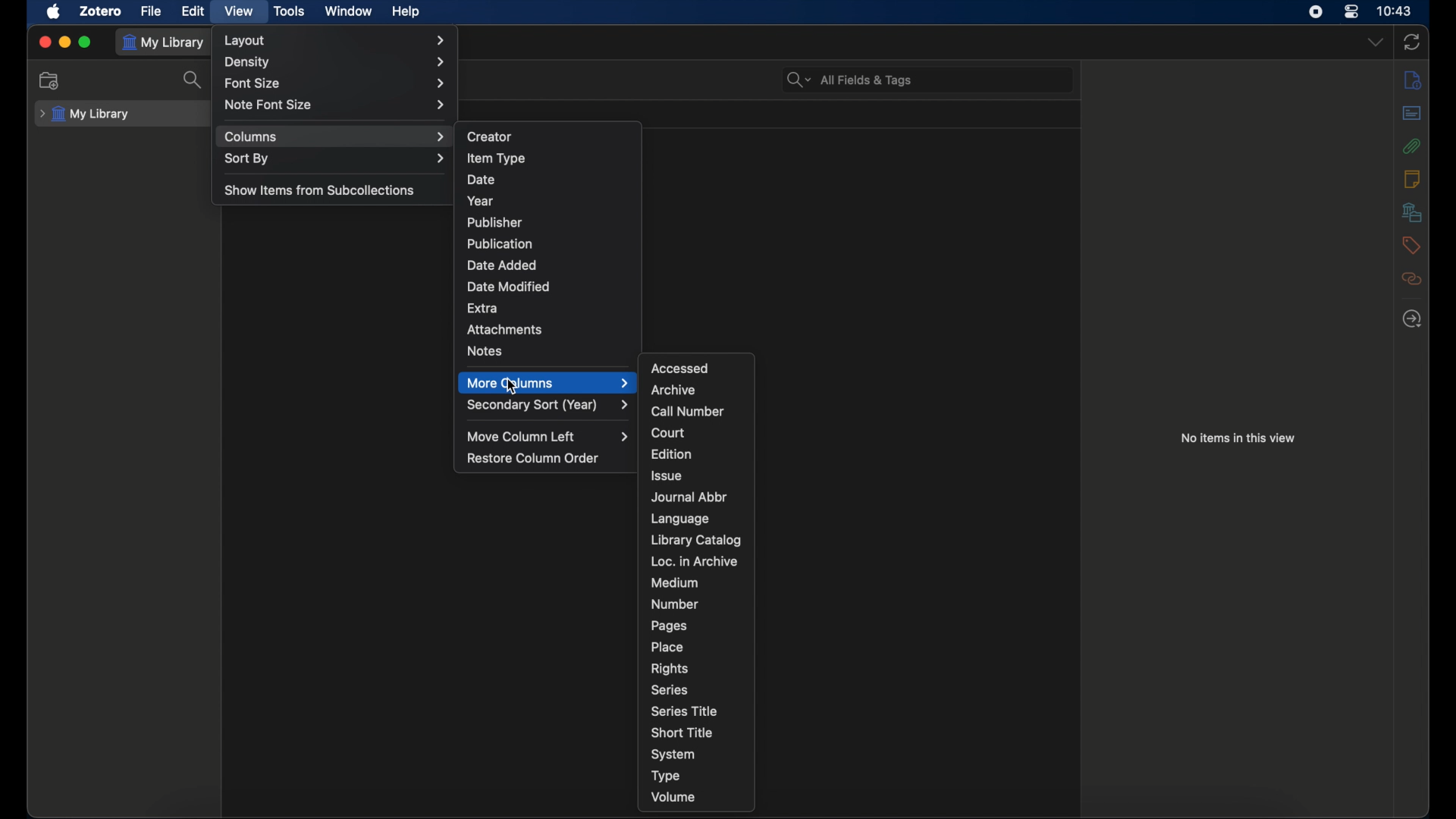 The height and width of the screenshot is (819, 1456). I want to click on tags, so click(1411, 244).